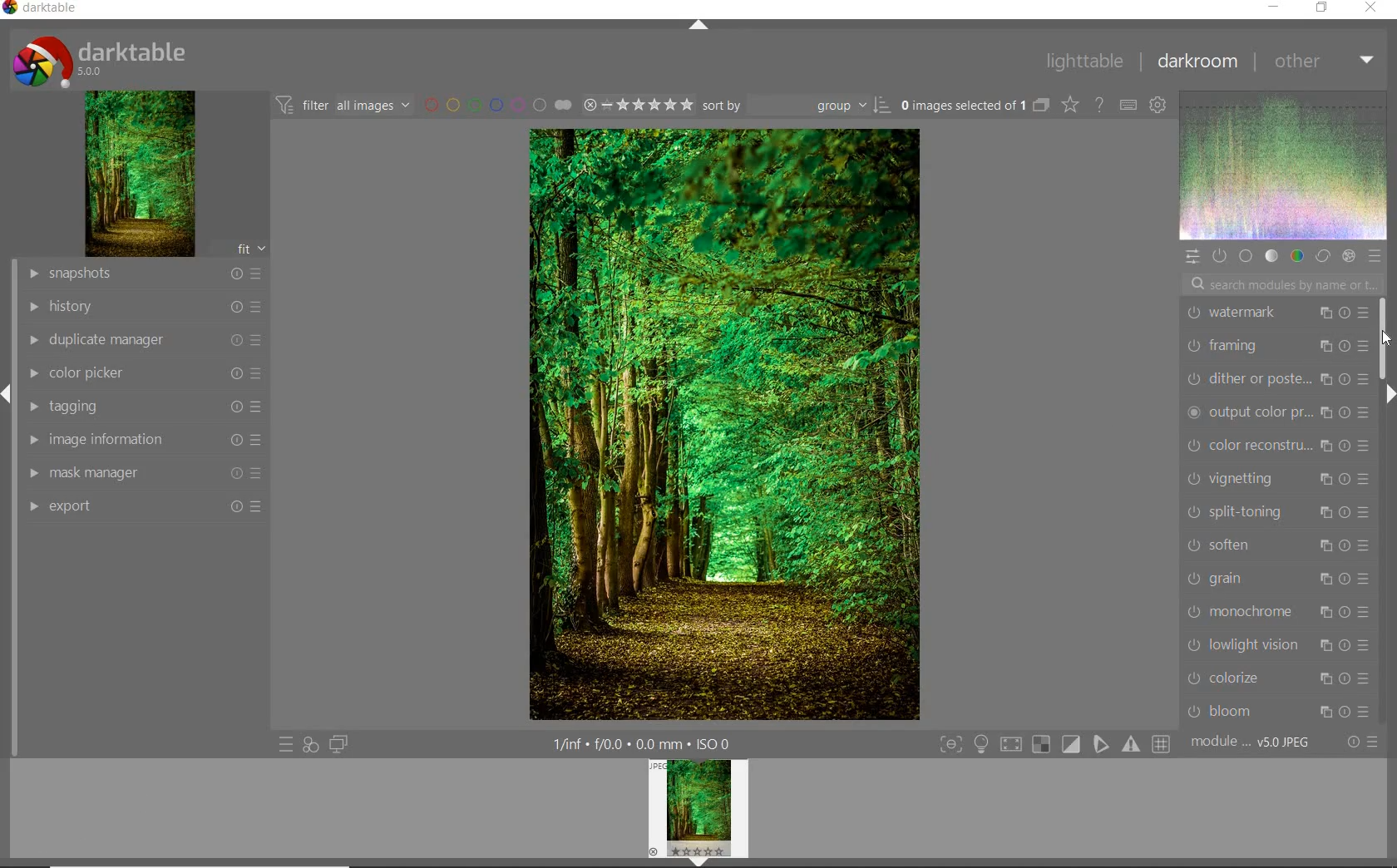  I want to click on FRAMING, so click(1275, 345).